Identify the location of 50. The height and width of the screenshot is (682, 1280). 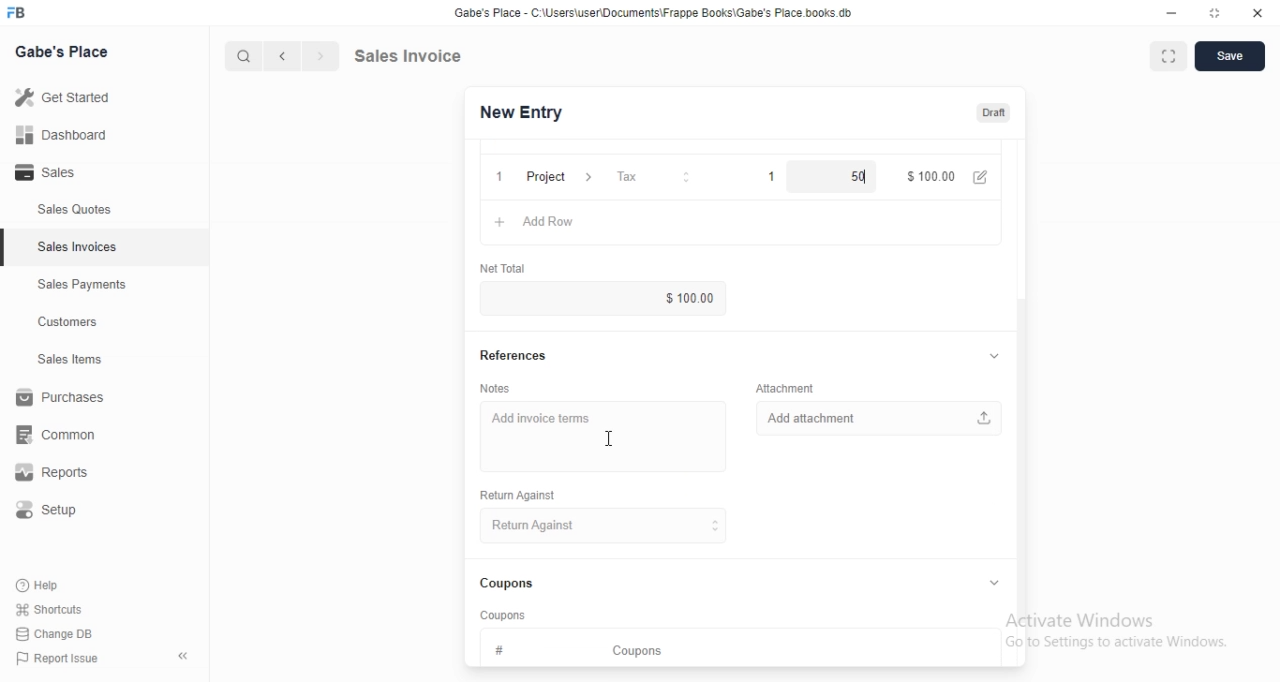
(839, 175).